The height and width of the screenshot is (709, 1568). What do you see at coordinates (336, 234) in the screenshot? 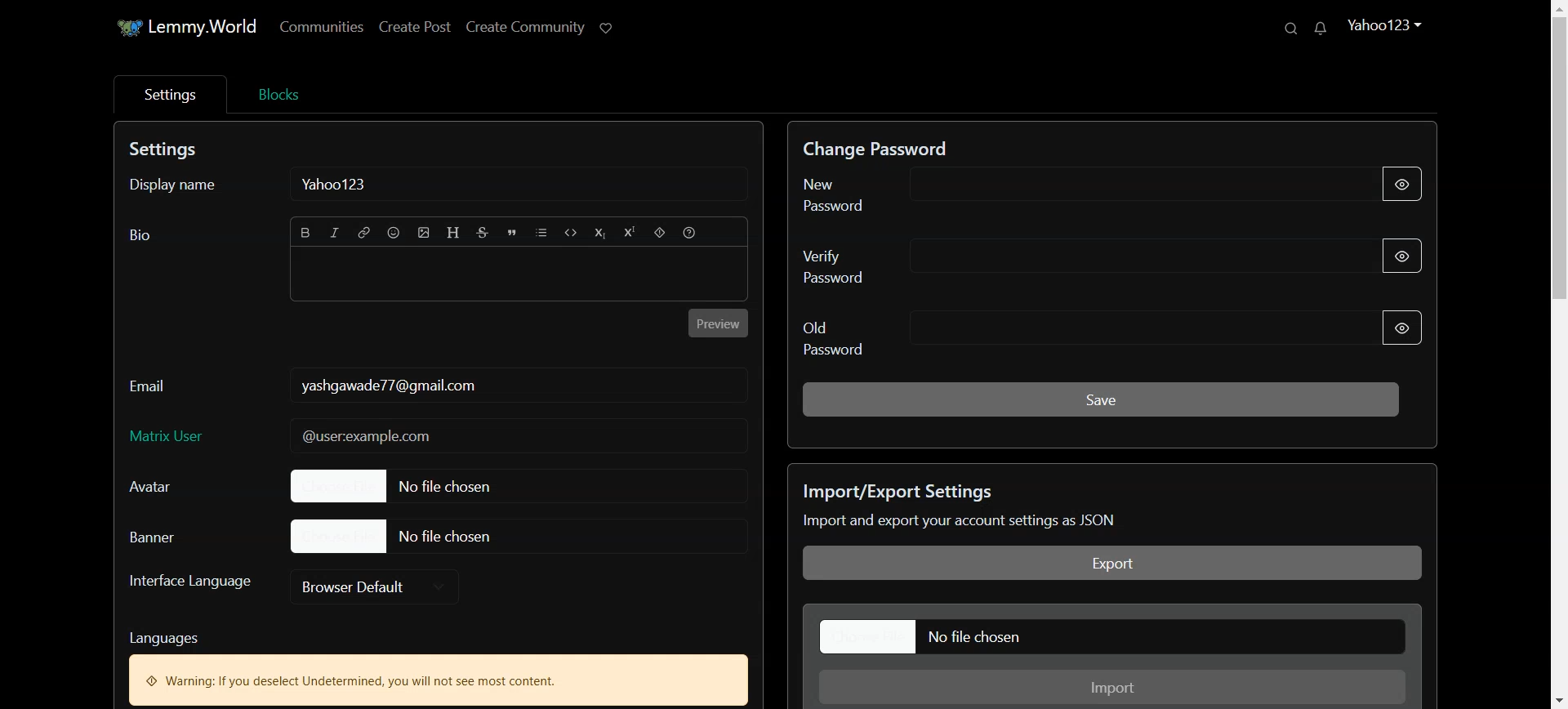
I see `Italic` at bounding box center [336, 234].